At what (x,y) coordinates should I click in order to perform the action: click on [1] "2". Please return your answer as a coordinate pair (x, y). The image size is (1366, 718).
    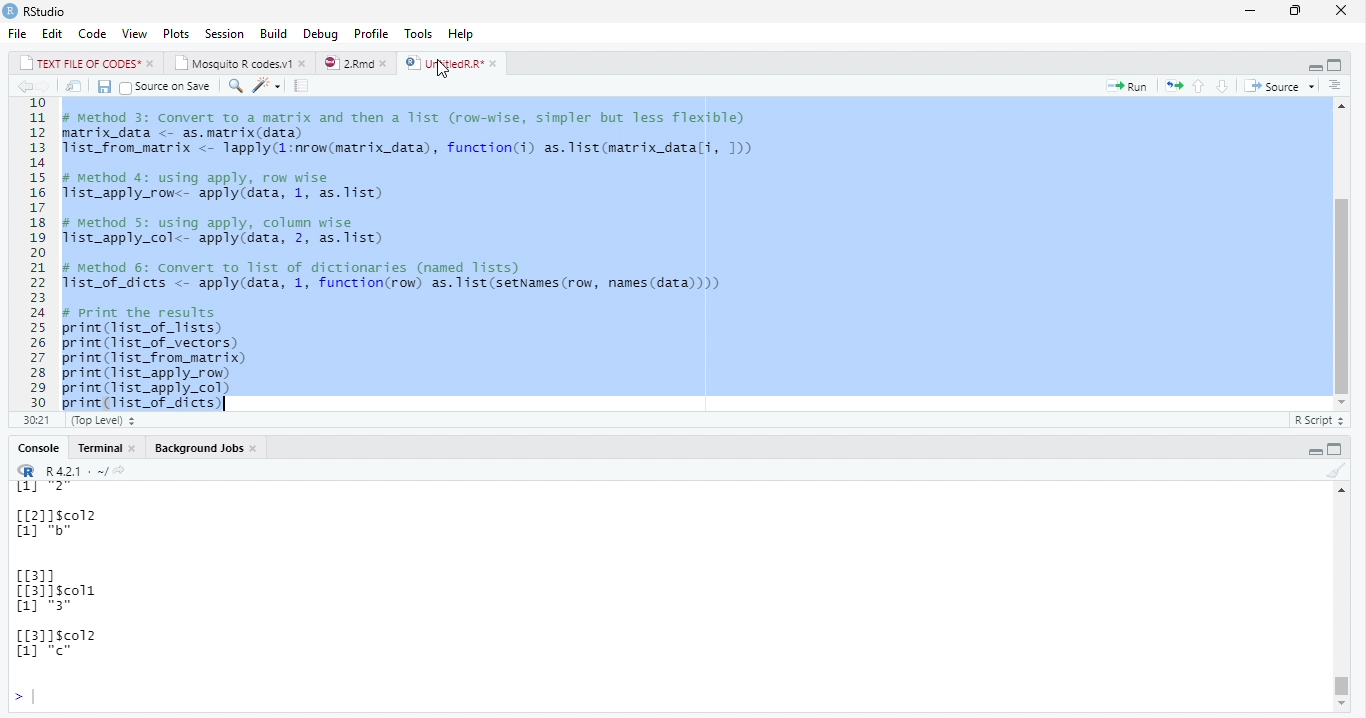
    Looking at the image, I should click on (45, 487).